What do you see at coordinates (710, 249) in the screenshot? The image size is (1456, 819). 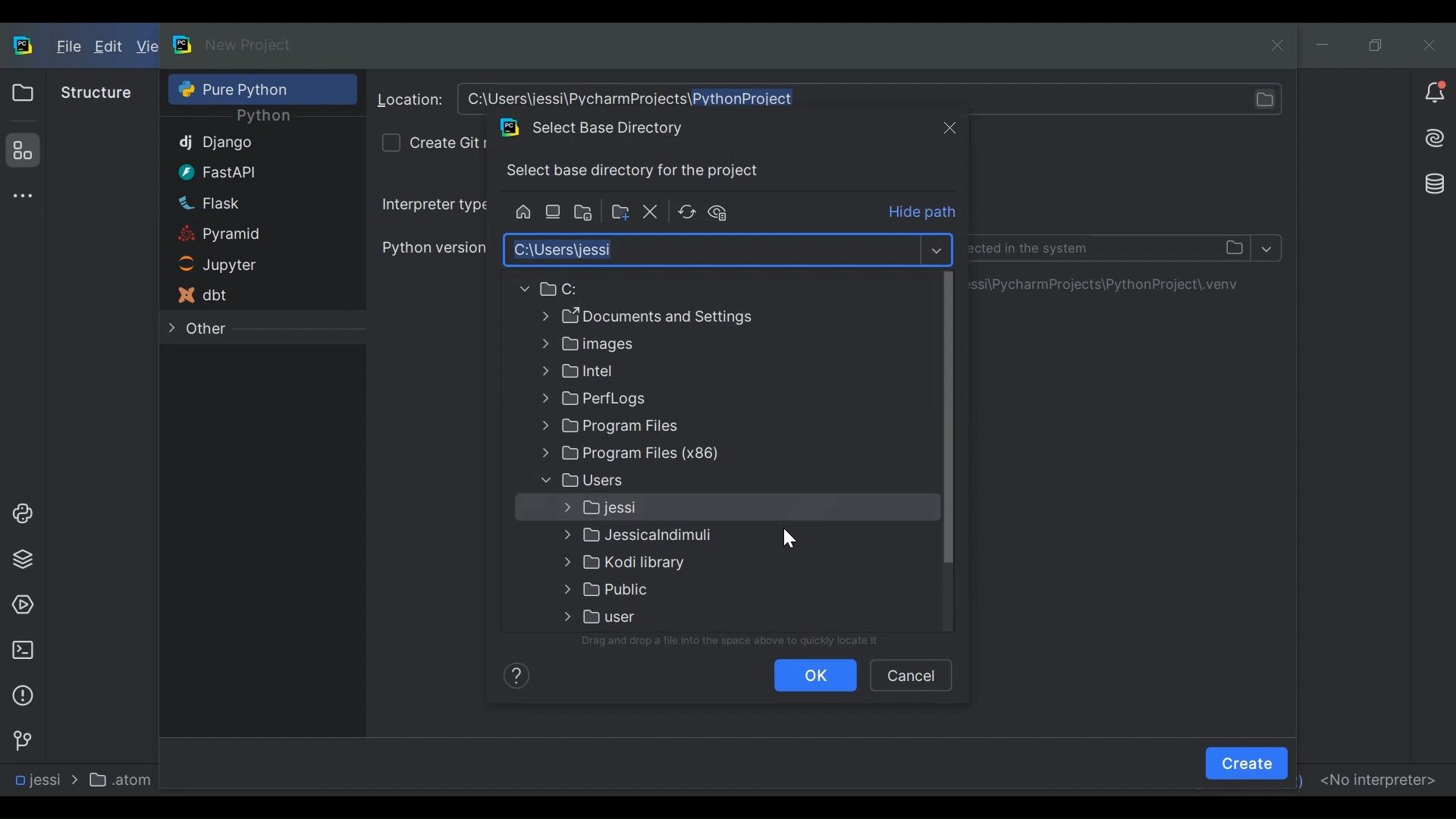 I see `Select base directory` at bounding box center [710, 249].